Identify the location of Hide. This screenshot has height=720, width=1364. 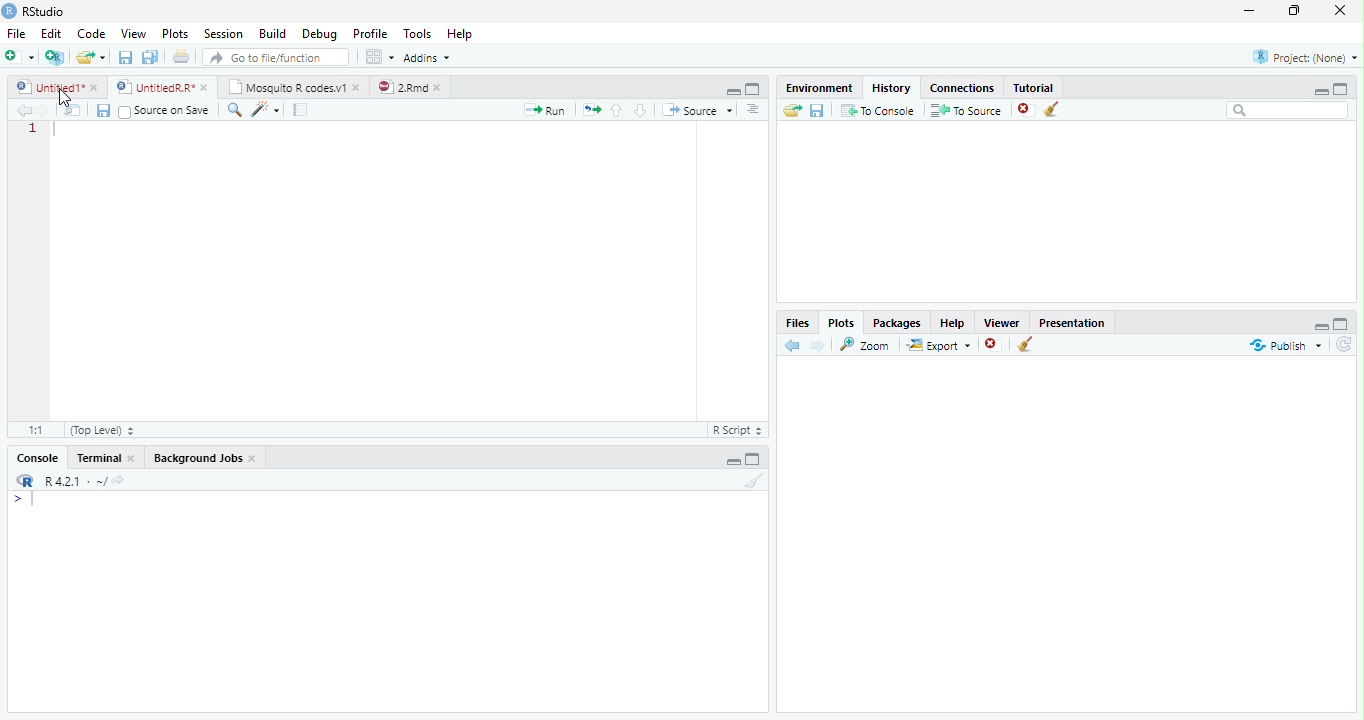
(732, 461).